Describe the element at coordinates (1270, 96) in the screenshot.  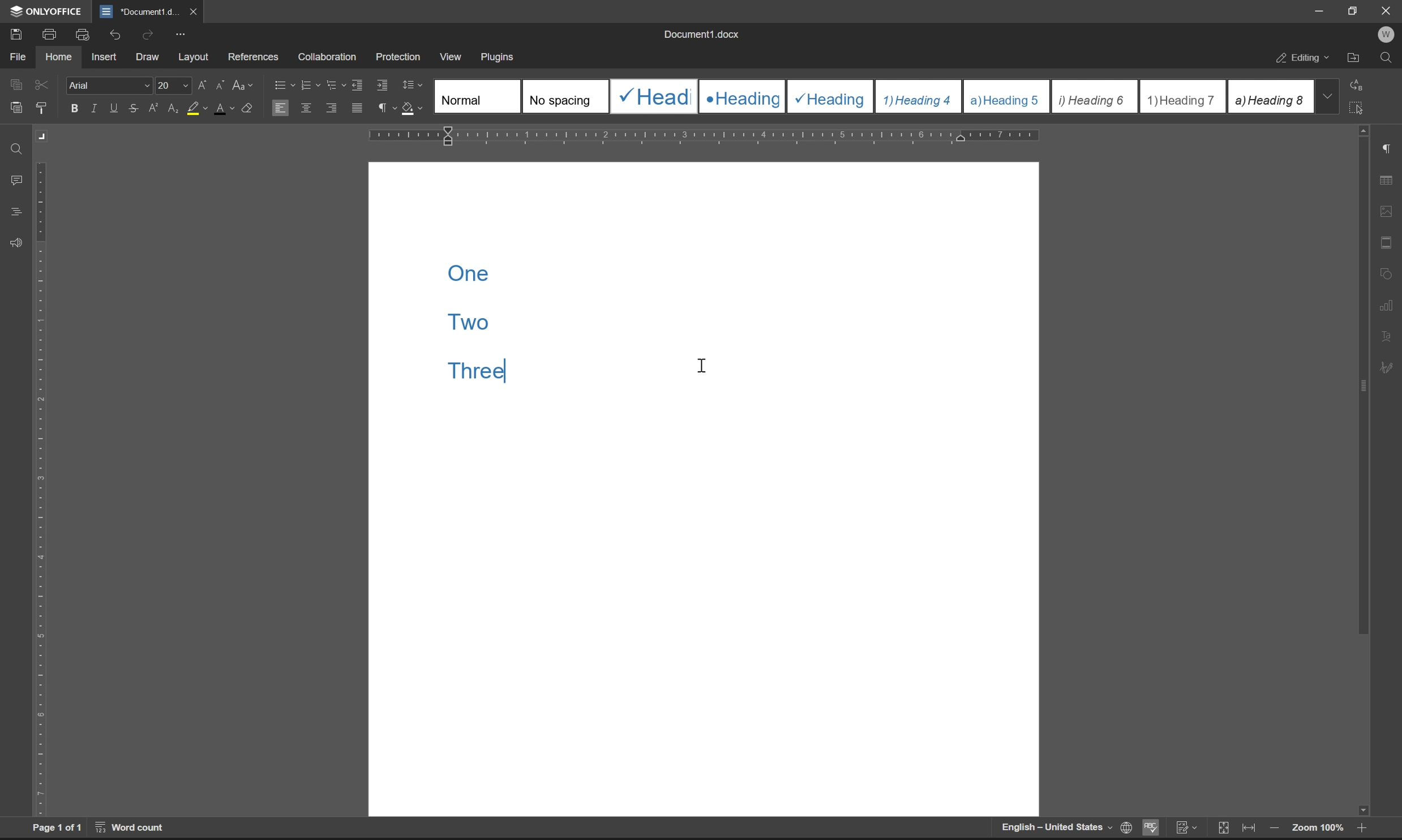
I see `Heading 8` at that location.